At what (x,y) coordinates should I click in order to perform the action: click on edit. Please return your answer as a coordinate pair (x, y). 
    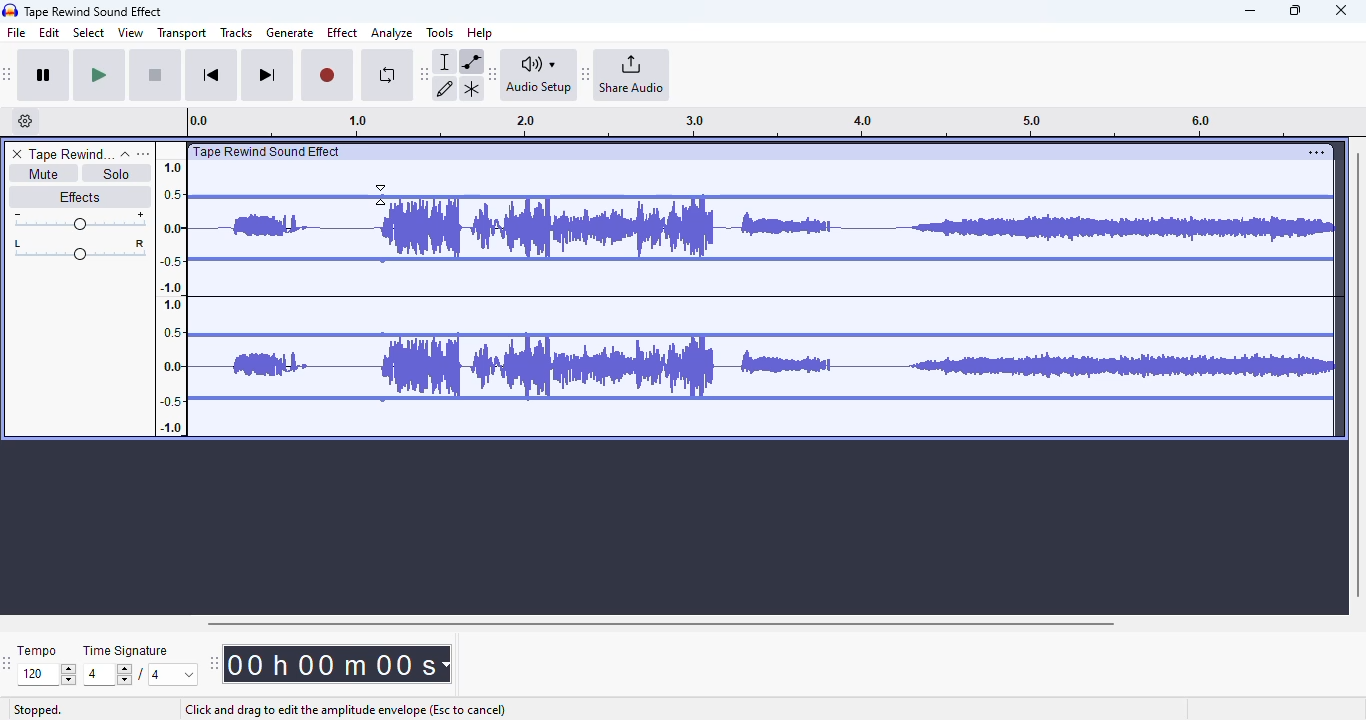
    Looking at the image, I should click on (50, 33).